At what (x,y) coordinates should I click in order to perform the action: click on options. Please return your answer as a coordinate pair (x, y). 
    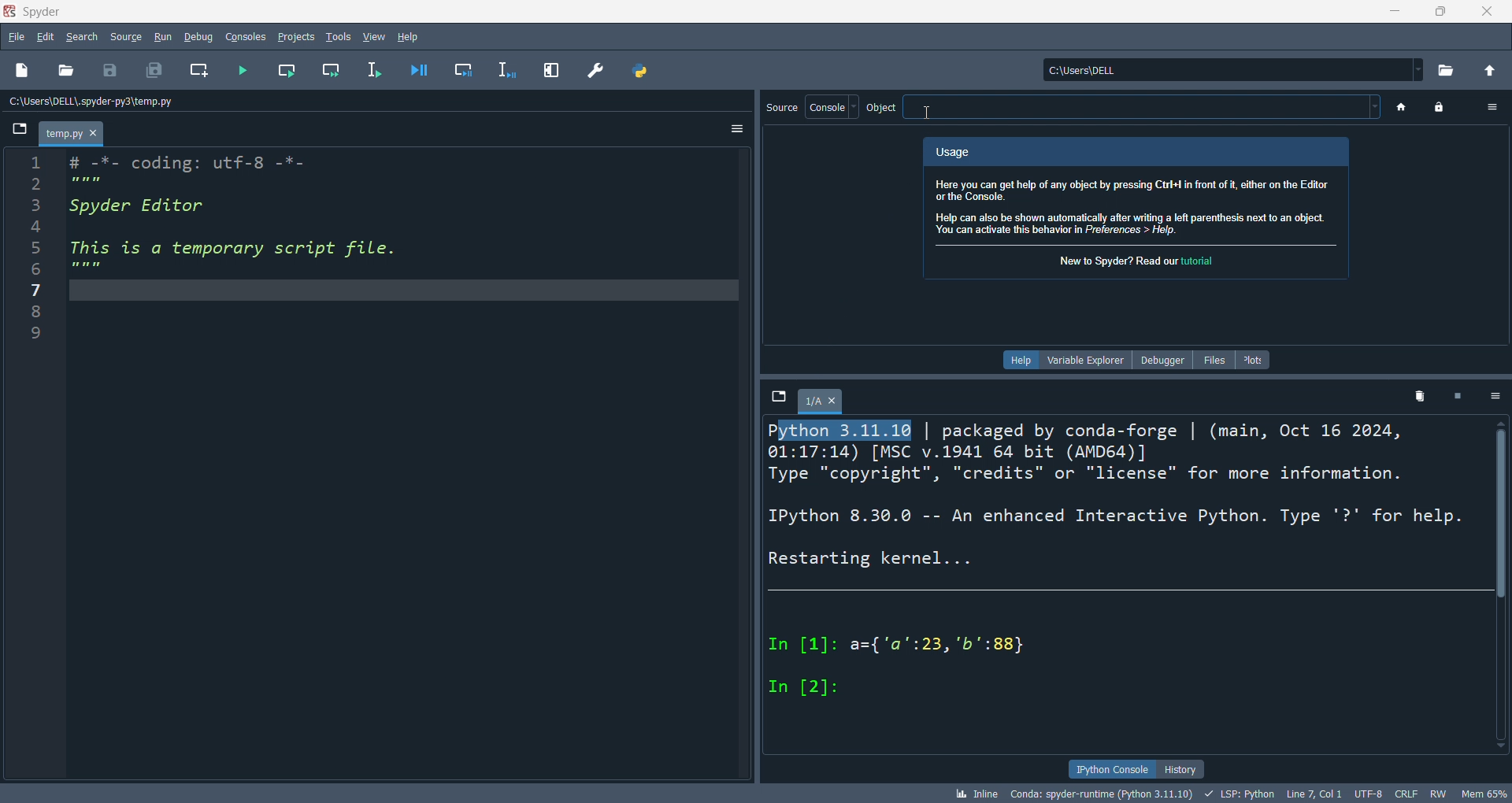
    Looking at the image, I should click on (735, 128).